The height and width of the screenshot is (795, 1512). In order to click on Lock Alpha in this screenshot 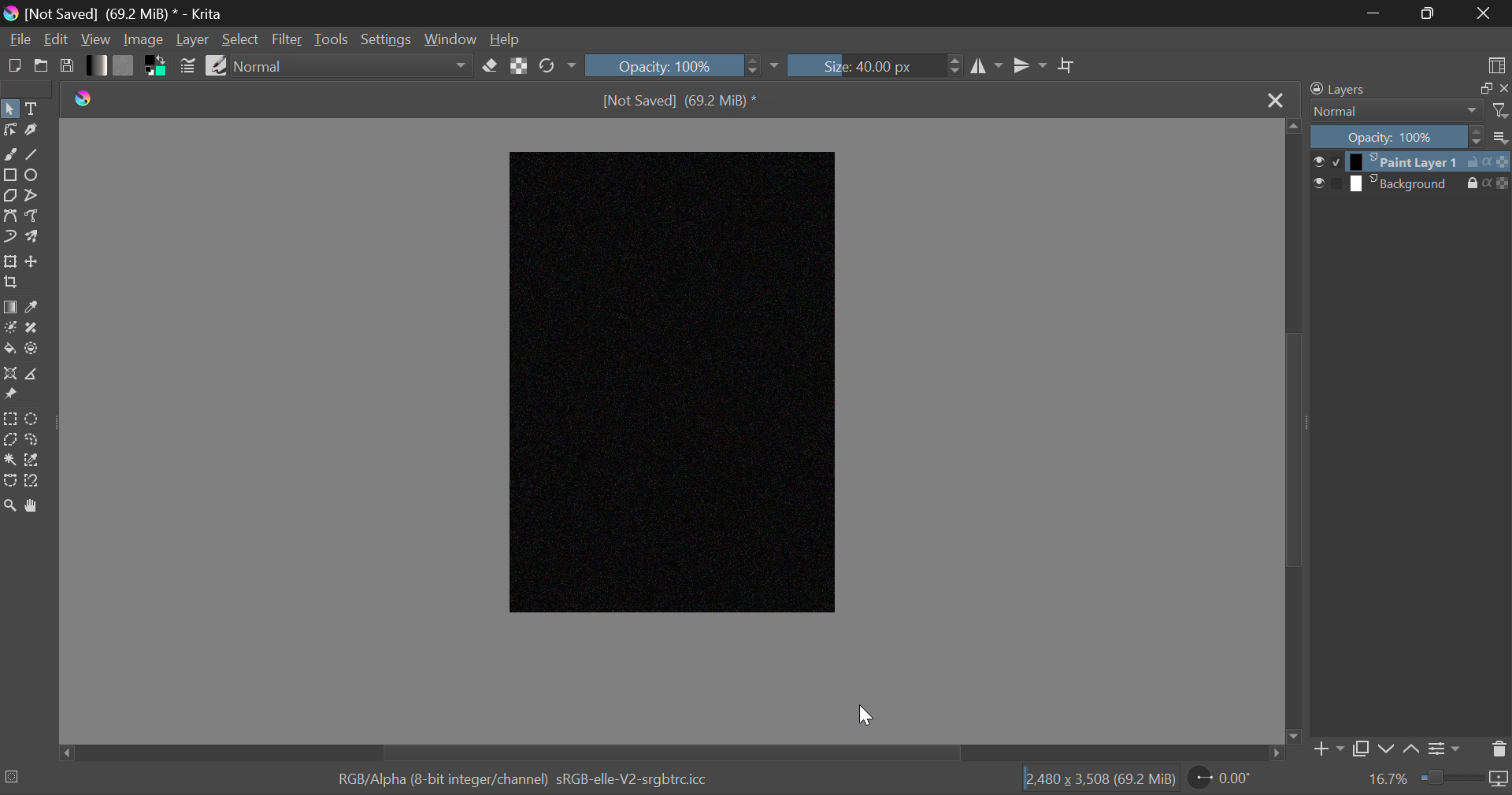, I will do `click(519, 65)`.